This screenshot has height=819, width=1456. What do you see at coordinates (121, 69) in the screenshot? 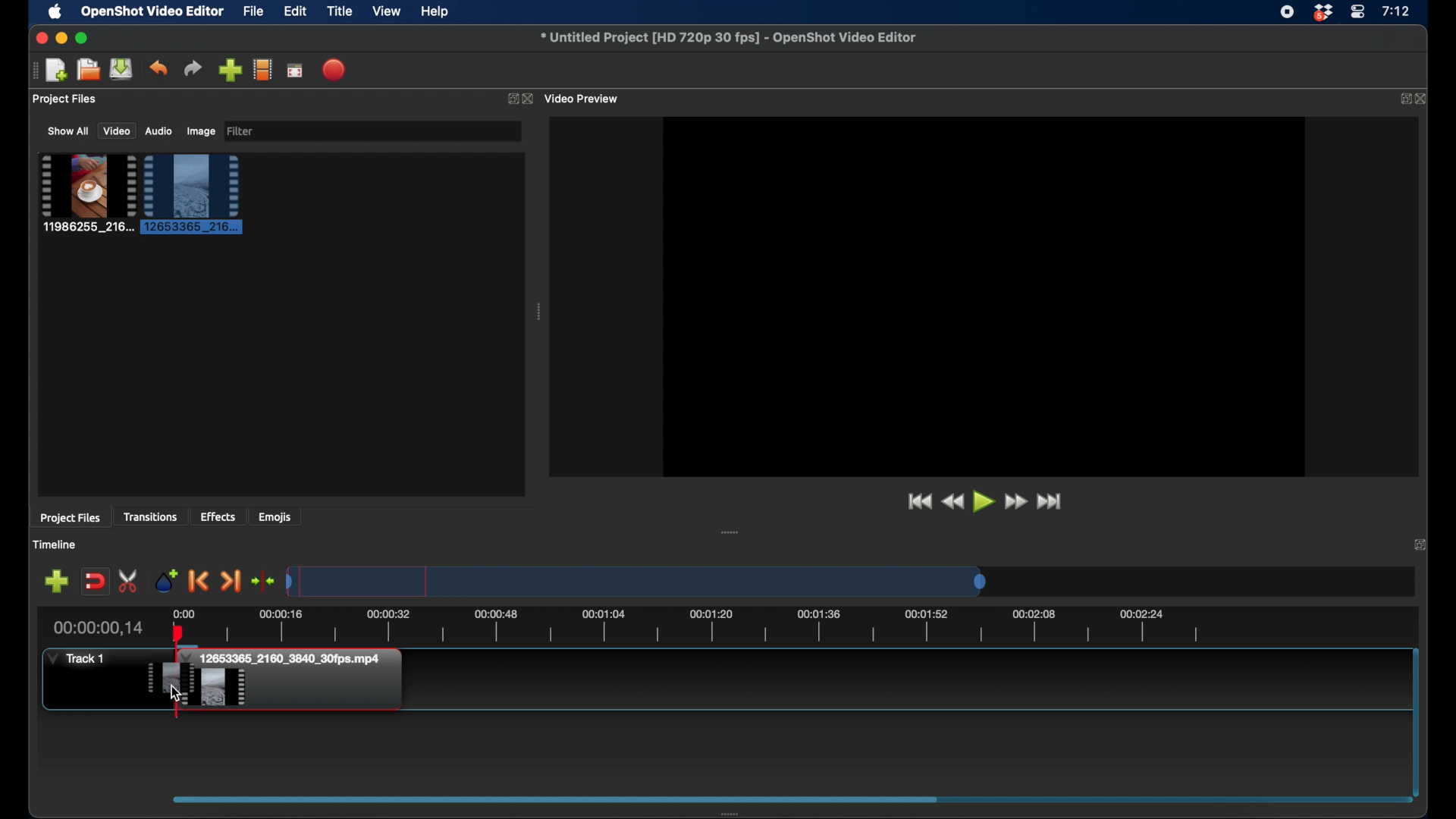
I see `save project` at bounding box center [121, 69].